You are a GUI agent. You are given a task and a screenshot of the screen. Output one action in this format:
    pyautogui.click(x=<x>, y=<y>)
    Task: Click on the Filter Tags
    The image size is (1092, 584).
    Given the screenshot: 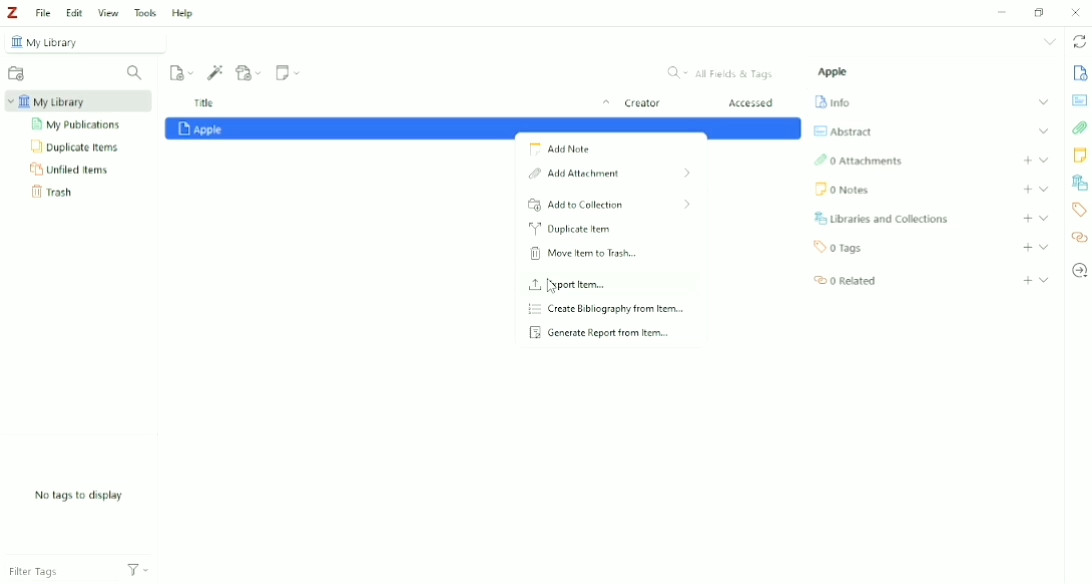 What is the action you would take?
    pyautogui.click(x=59, y=573)
    